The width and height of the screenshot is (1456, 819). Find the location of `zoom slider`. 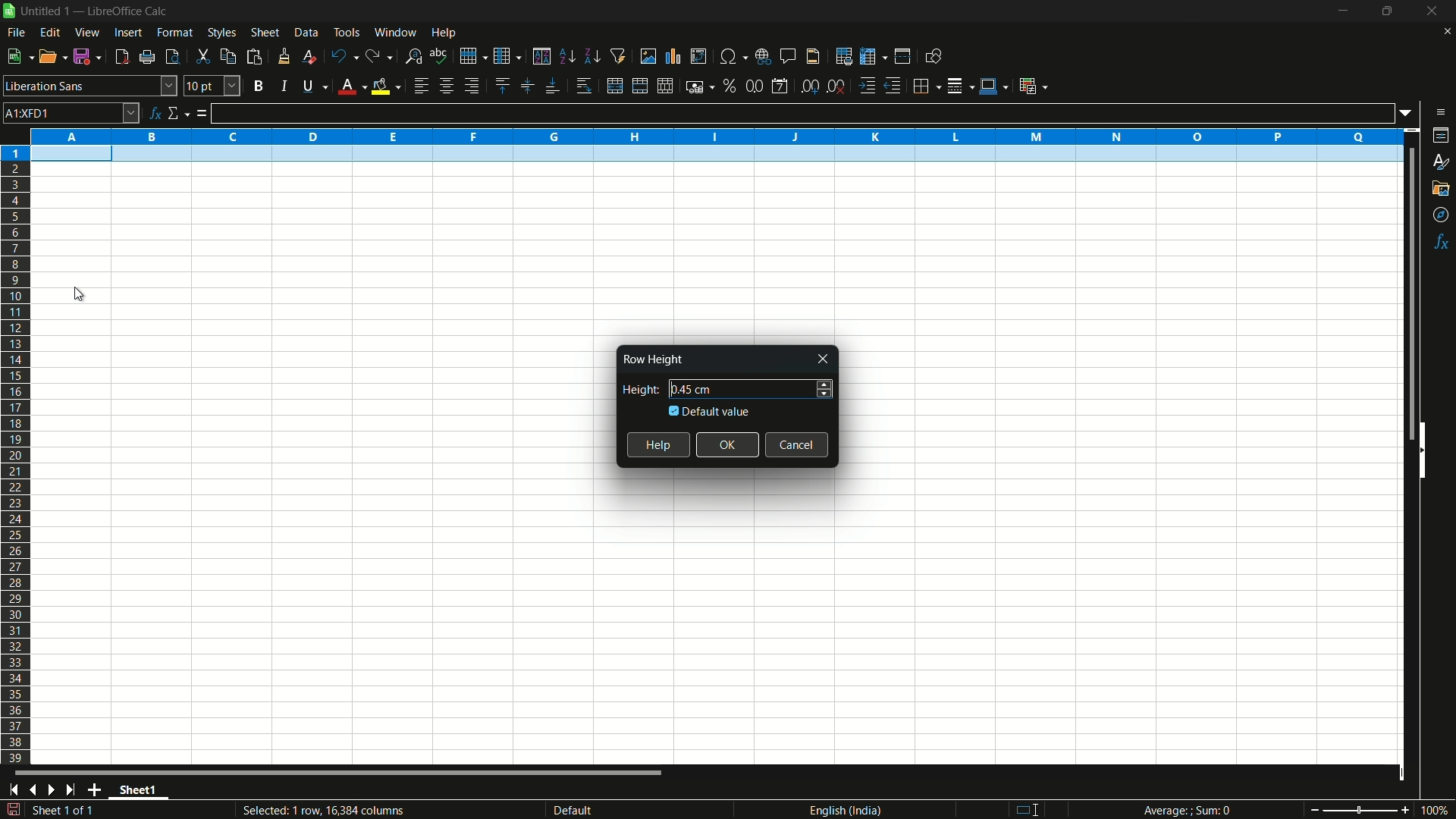

zoom slider is located at coordinates (1359, 809).